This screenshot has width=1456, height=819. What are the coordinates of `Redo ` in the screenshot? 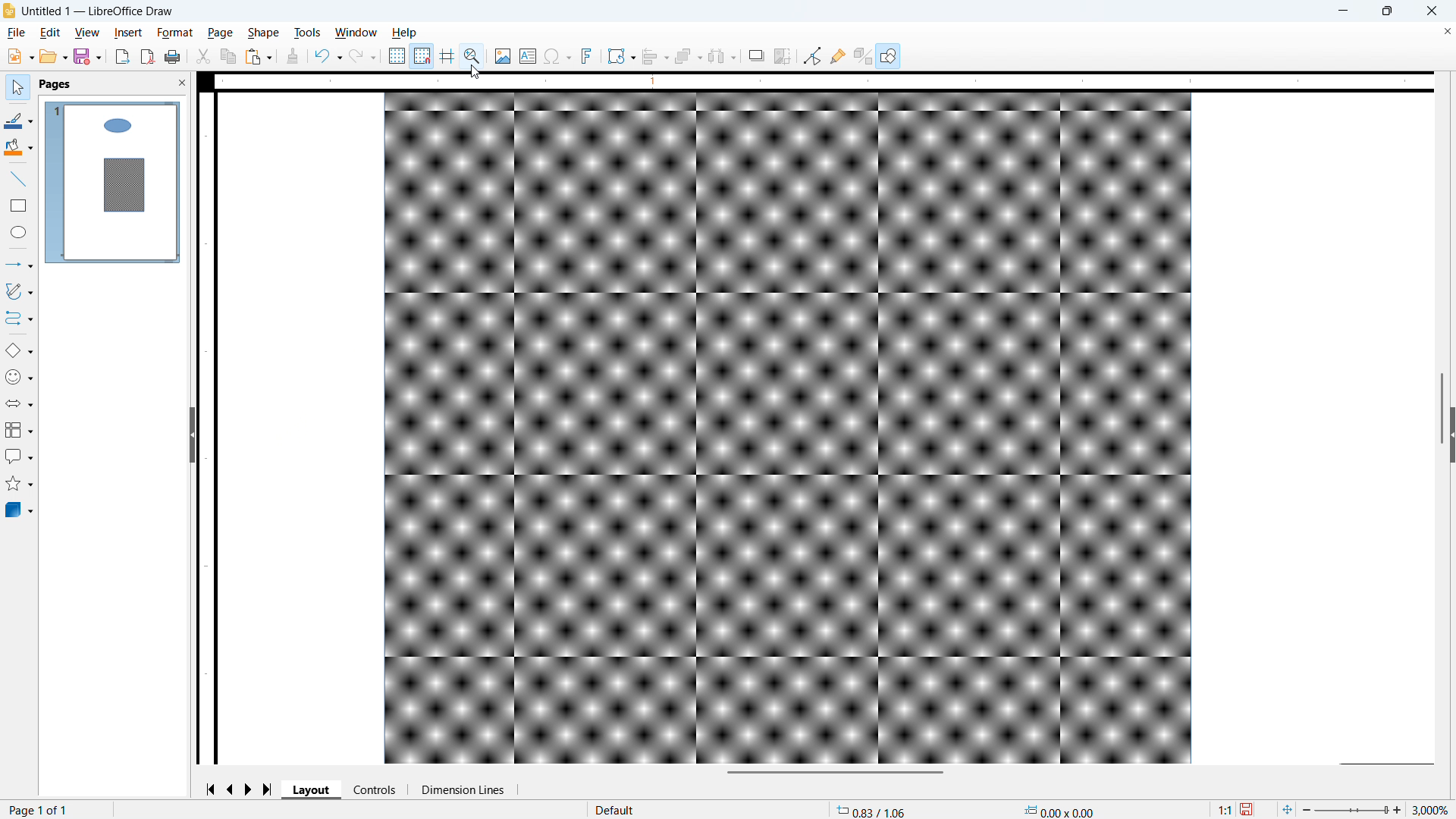 It's located at (362, 57).